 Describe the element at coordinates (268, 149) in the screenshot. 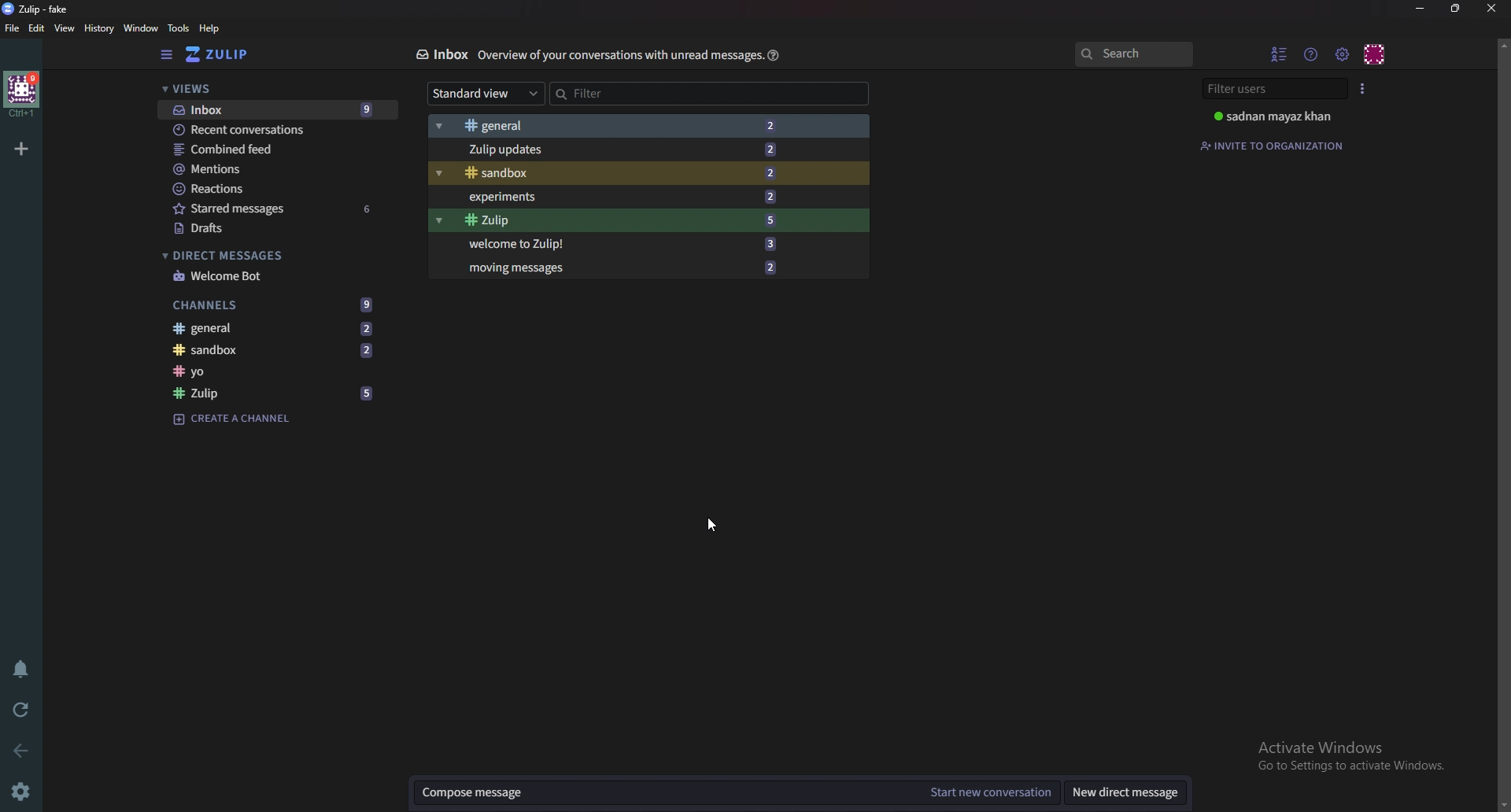

I see `Combine feed` at that location.